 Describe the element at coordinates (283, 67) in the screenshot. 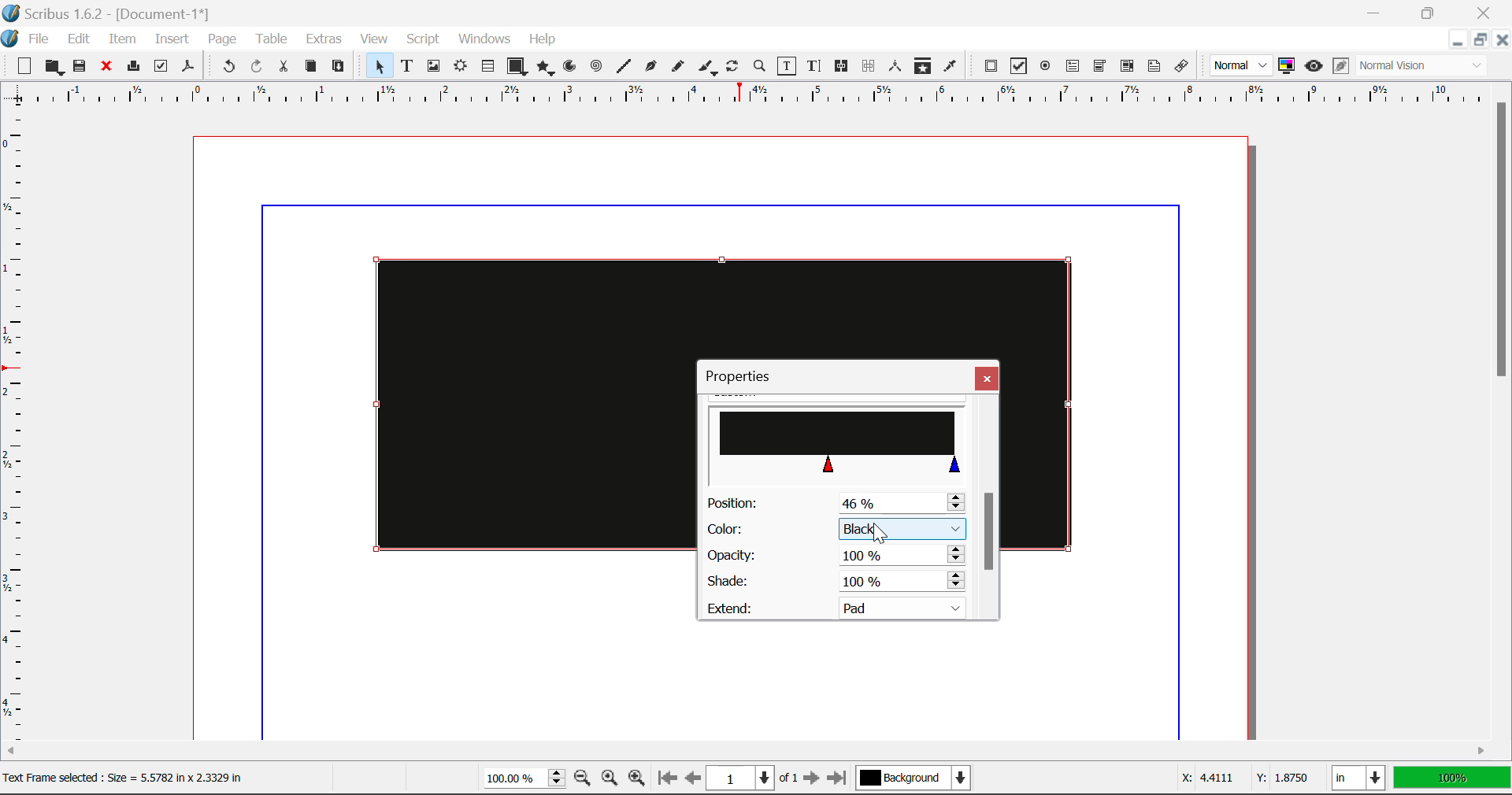

I see `Cut` at that location.